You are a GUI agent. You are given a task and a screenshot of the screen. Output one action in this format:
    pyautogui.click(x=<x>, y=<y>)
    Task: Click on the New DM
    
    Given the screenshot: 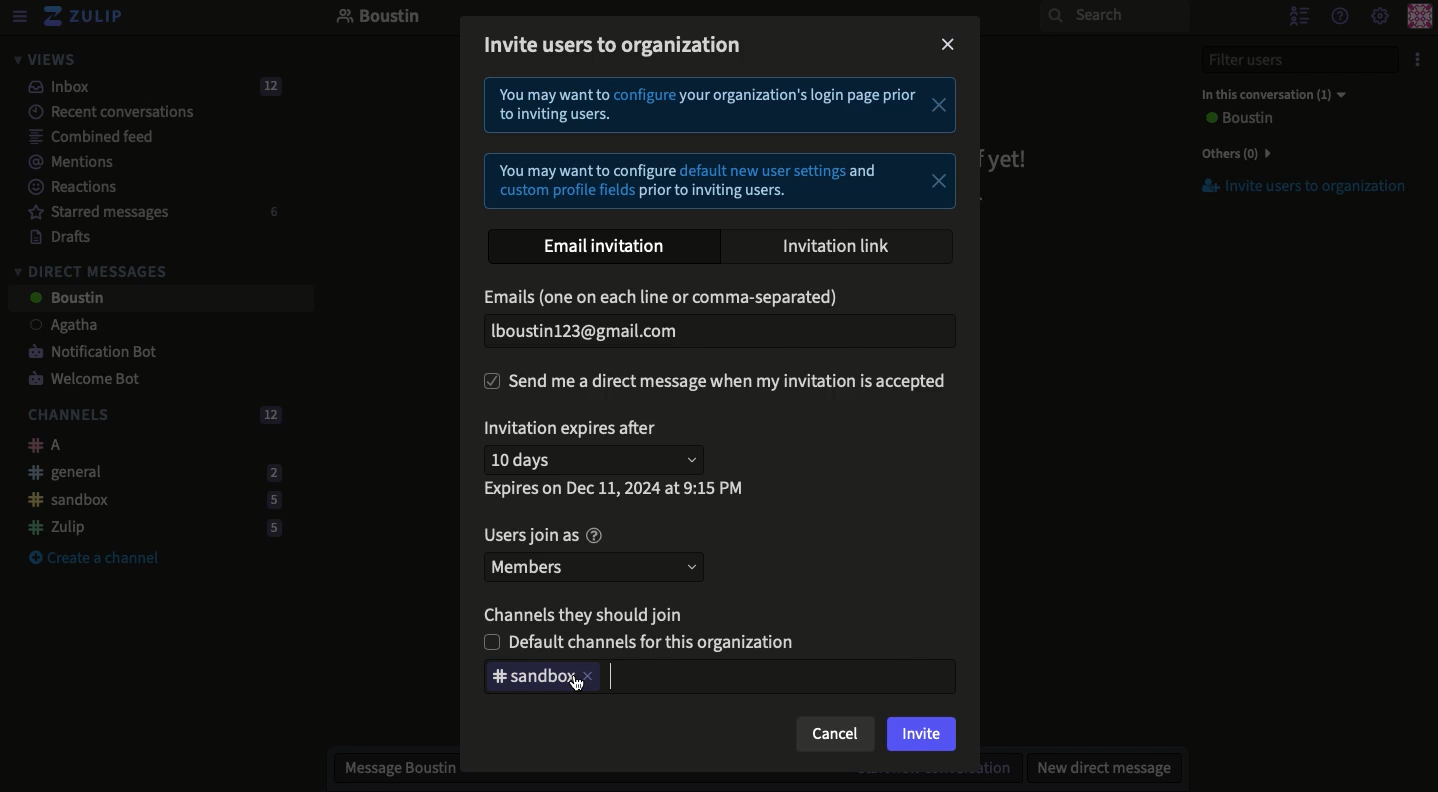 What is the action you would take?
    pyautogui.click(x=1099, y=767)
    